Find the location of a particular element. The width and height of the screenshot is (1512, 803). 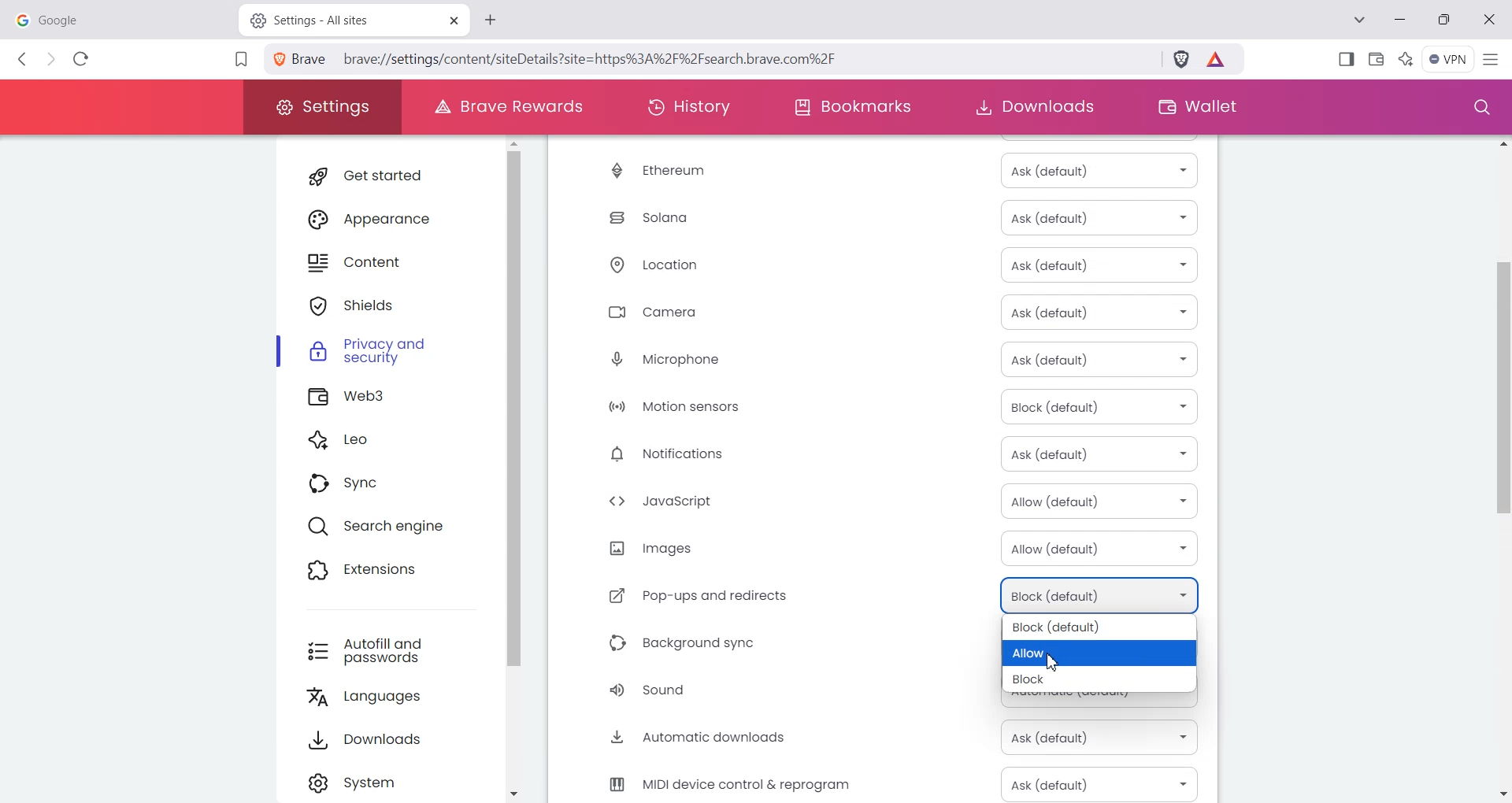

 is located at coordinates (1448, 59).